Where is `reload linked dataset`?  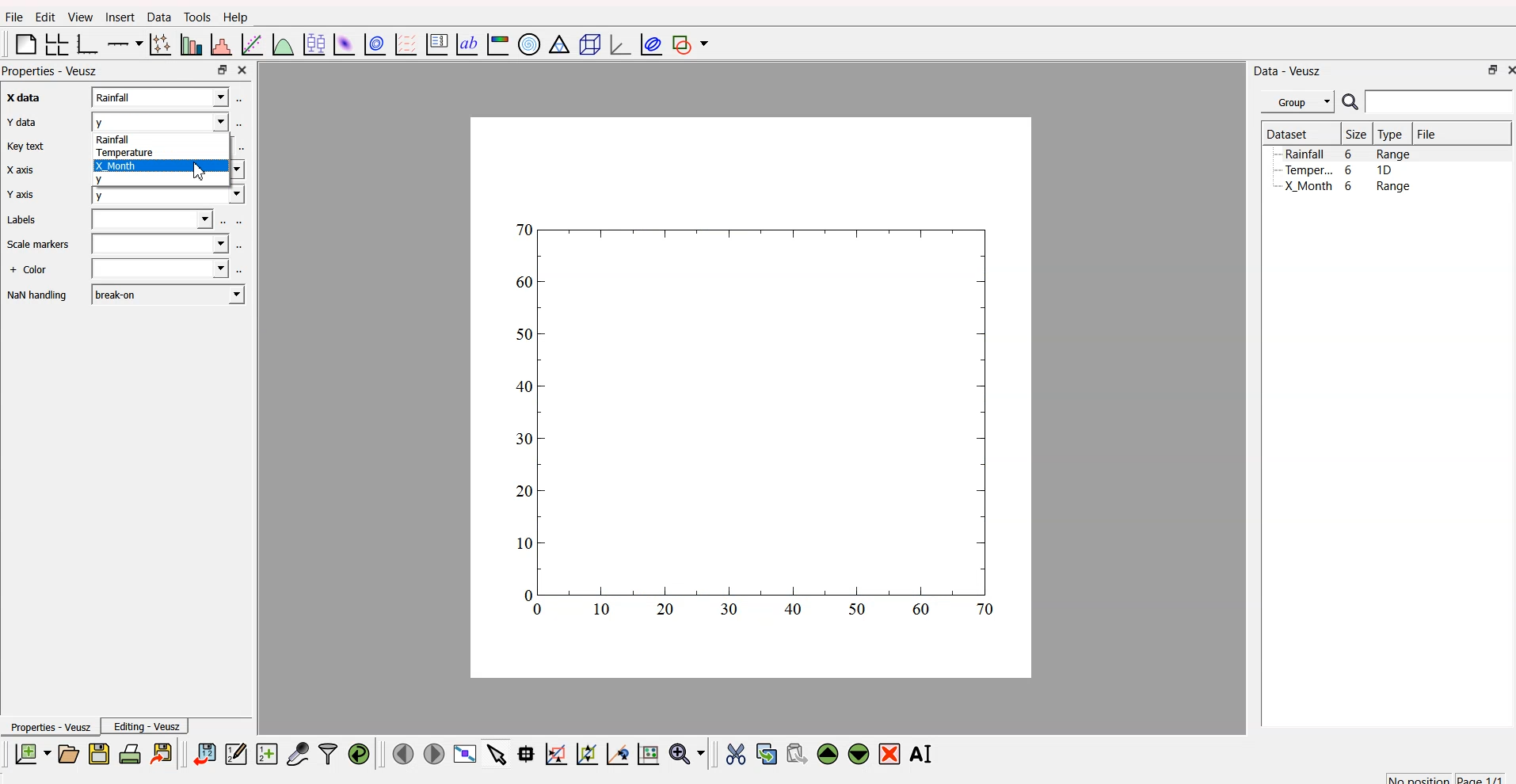 reload linked dataset is located at coordinates (358, 752).